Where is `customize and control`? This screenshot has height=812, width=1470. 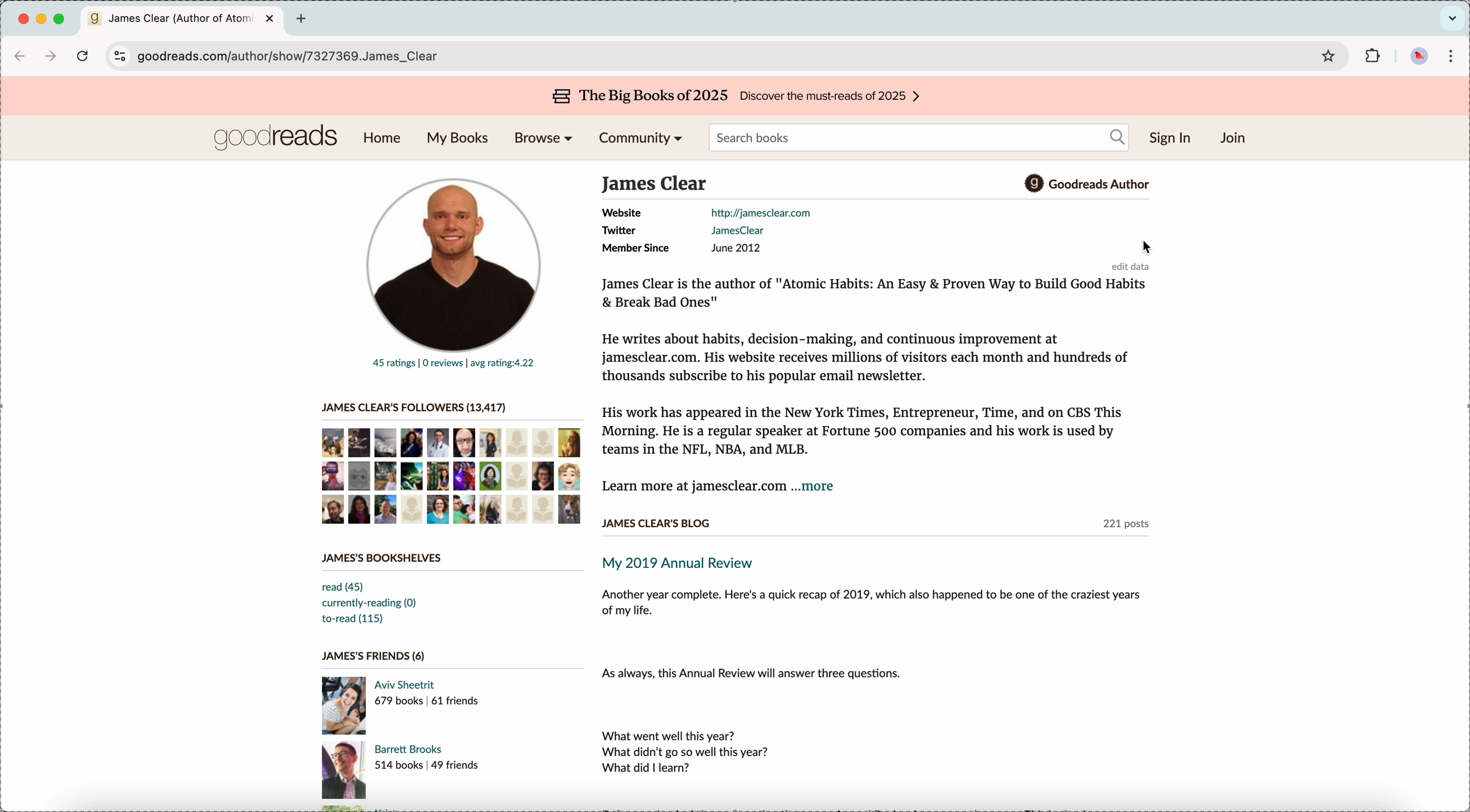 customize and control is located at coordinates (1451, 55).